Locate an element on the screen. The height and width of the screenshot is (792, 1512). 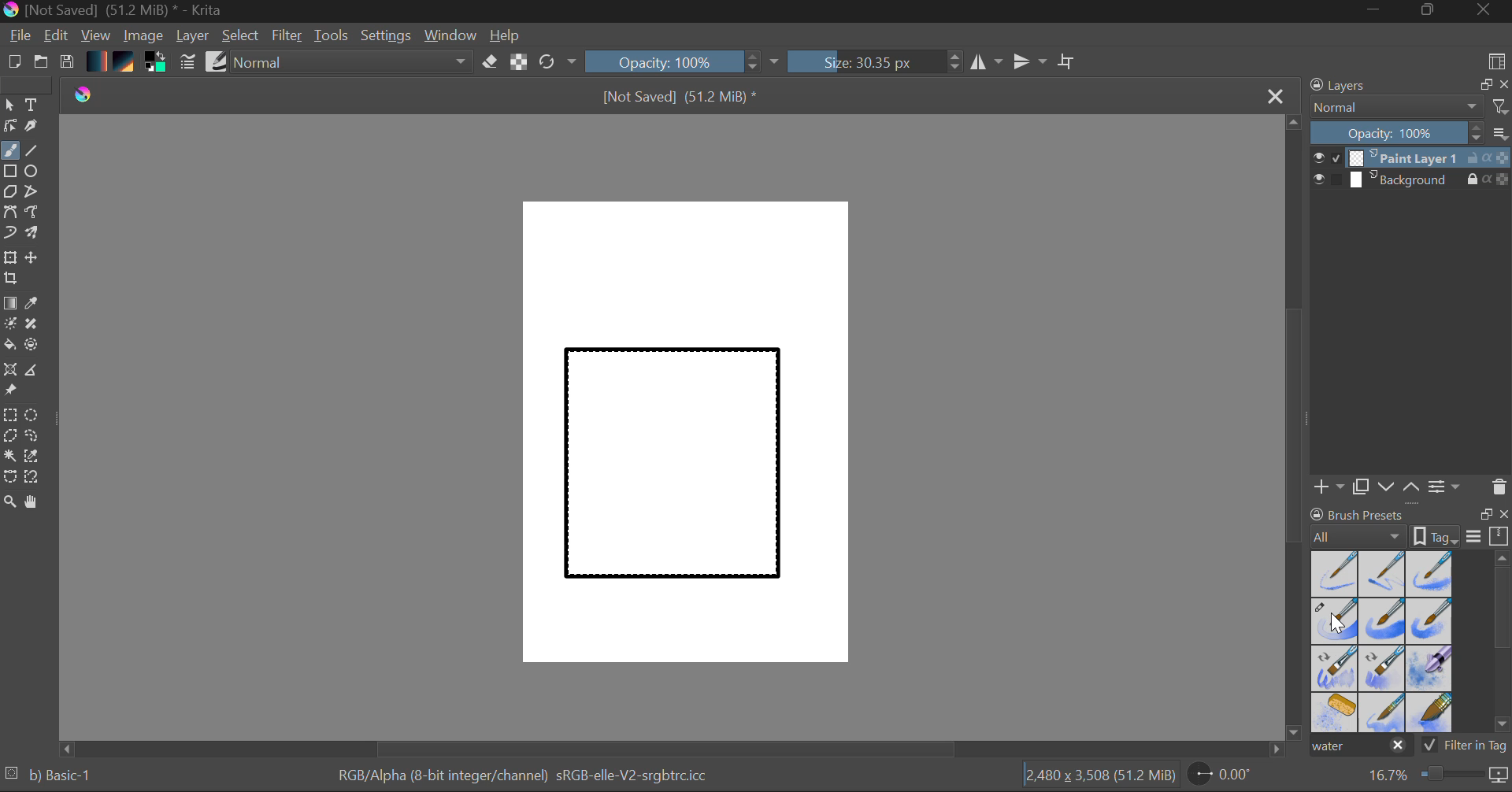
Water C - Spread is located at coordinates (1384, 712).